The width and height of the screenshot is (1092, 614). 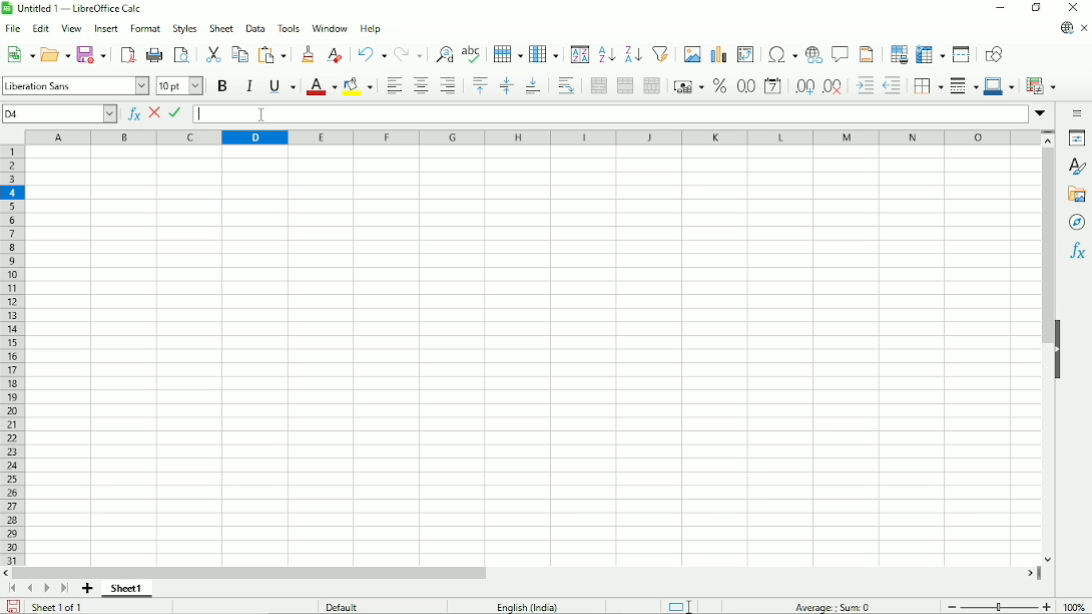 What do you see at coordinates (12, 354) in the screenshot?
I see `Row headings` at bounding box center [12, 354].